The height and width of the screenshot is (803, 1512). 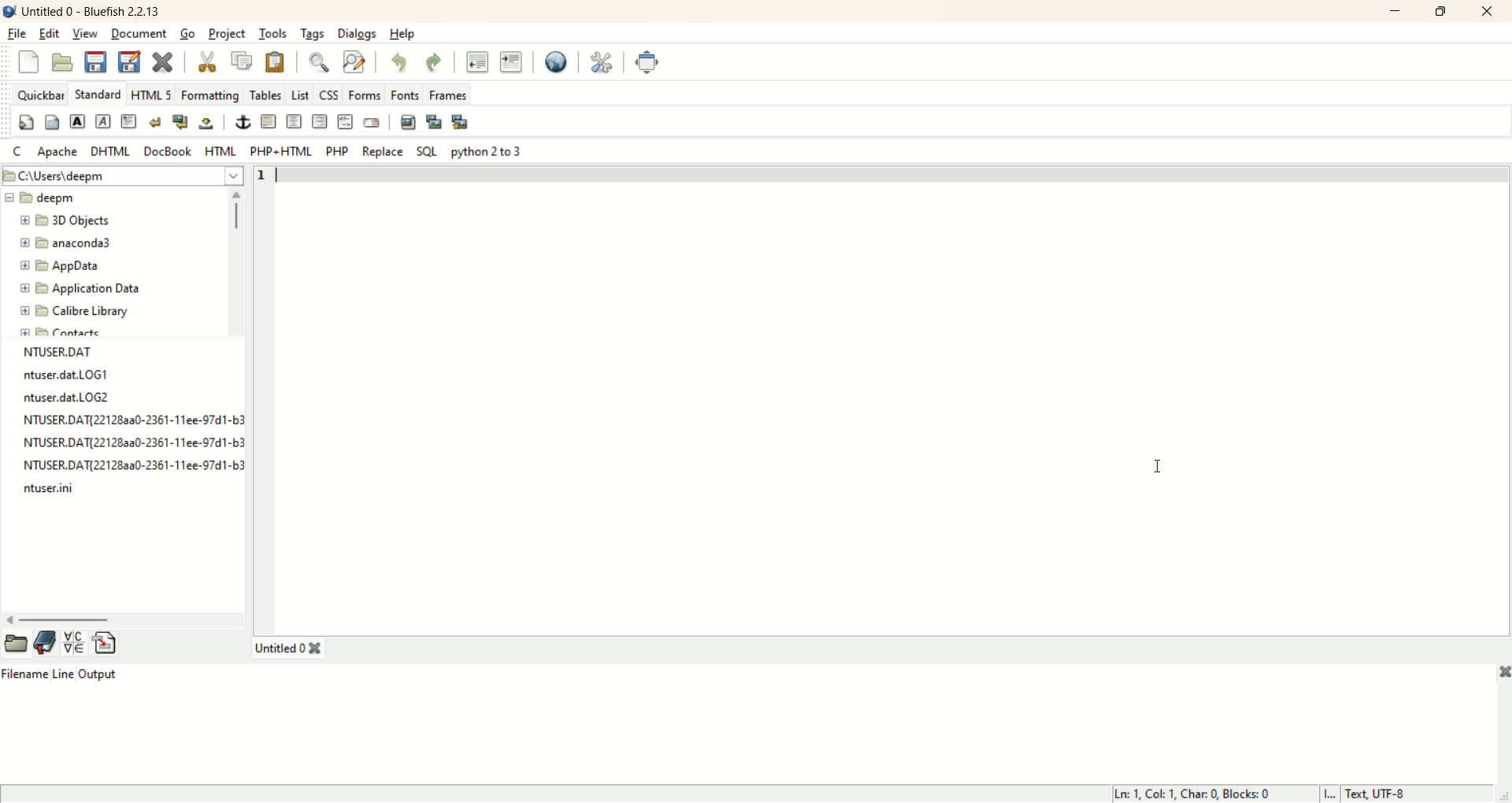 I want to click on save current file, so click(x=93, y=61).